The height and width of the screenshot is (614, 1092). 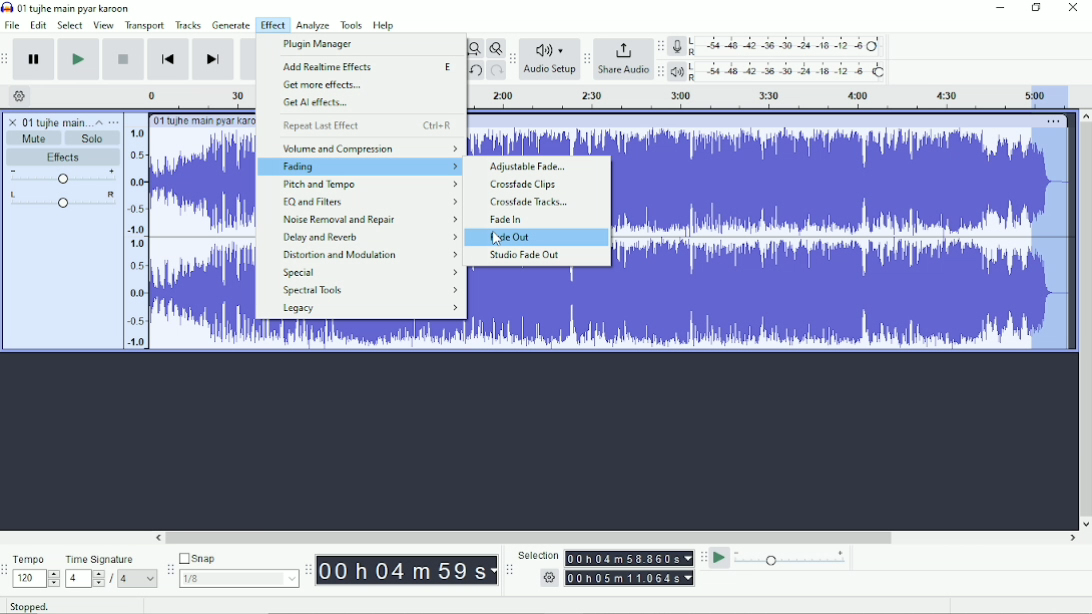 I want to click on close, so click(x=11, y=121).